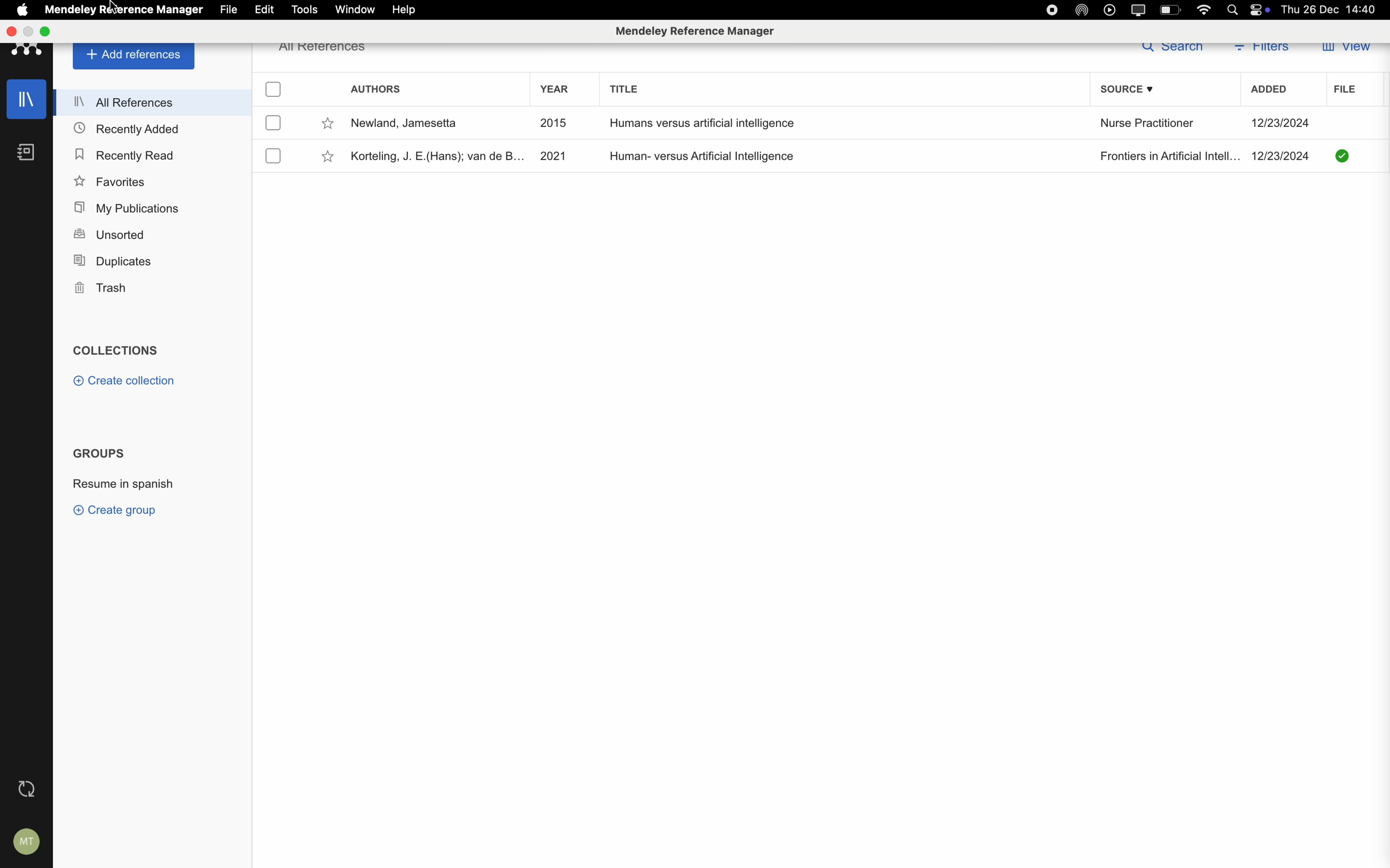 This screenshot has height=868, width=1390. Describe the element at coordinates (705, 156) in the screenshot. I see `Human-versus Artificial Intelligence` at that location.